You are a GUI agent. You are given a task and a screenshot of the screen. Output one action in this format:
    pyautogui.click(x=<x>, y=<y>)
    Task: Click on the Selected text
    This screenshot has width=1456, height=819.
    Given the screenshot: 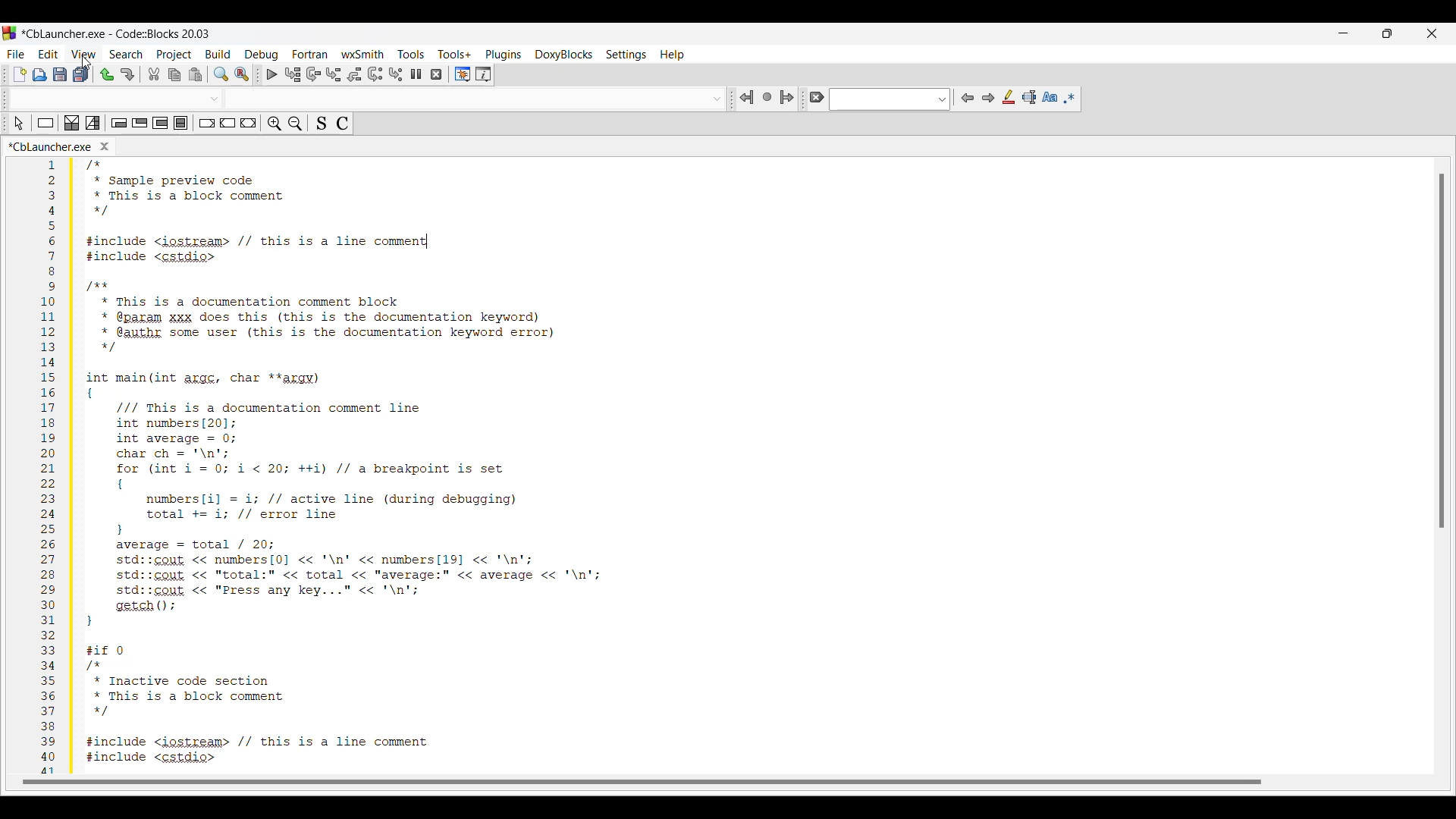 What is the action you would take?
    pyautogui.click(x=1029, y=97)
    